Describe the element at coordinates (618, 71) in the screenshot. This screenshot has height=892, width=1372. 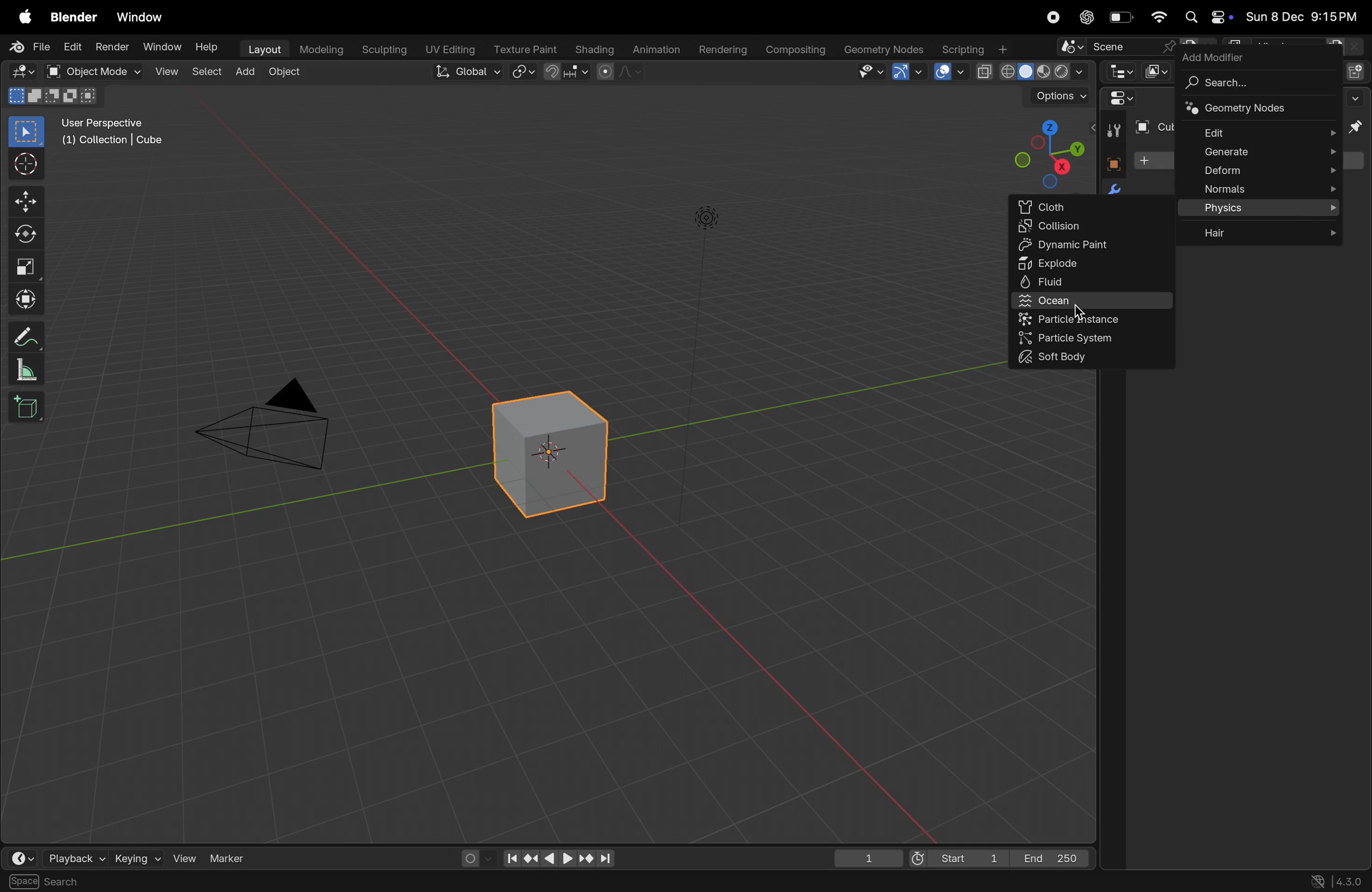
I see `proportional point` at that location.